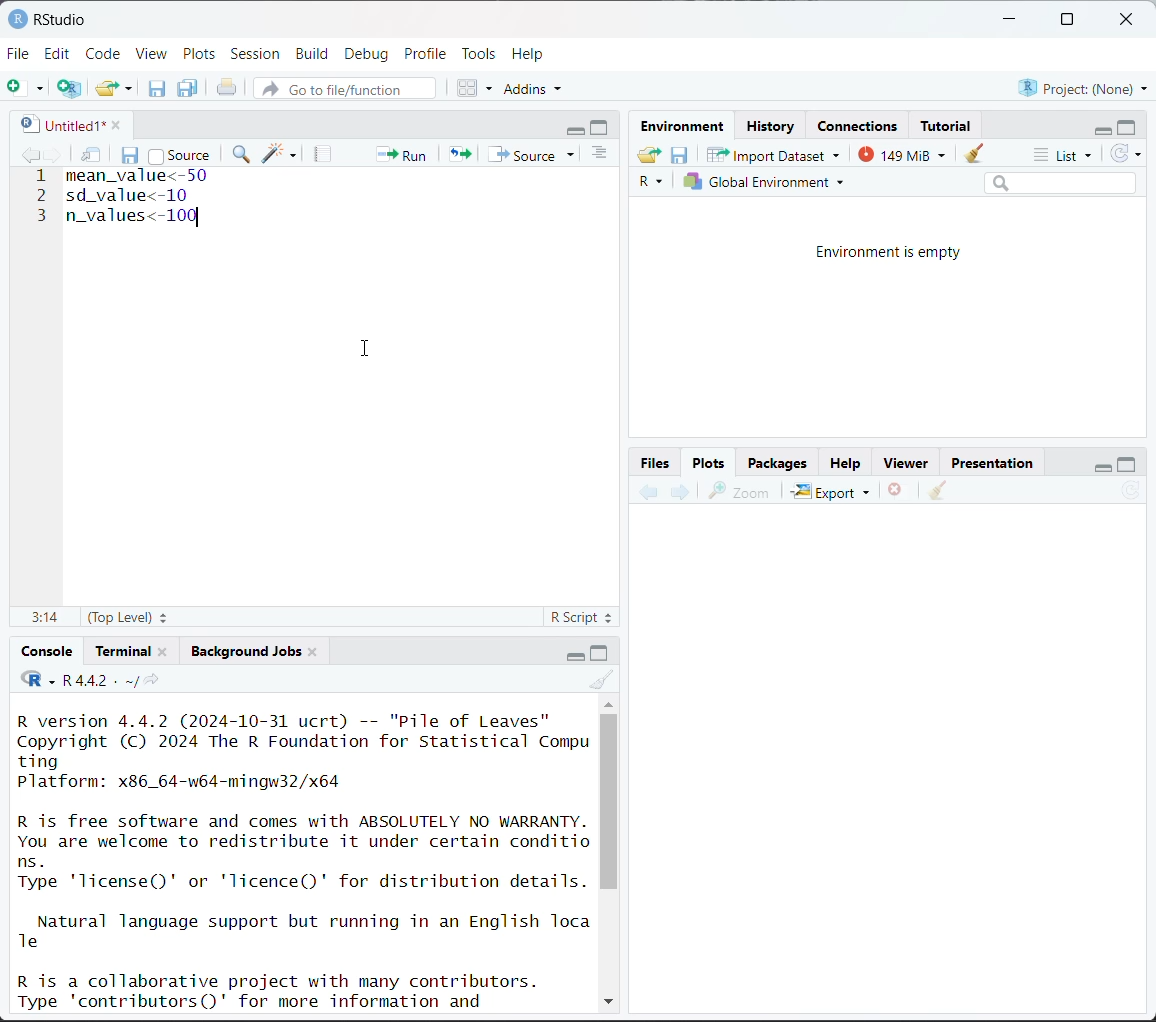  Describe the element at coordinates (280, 153) in the screenshot. I see `code tools` at that location.